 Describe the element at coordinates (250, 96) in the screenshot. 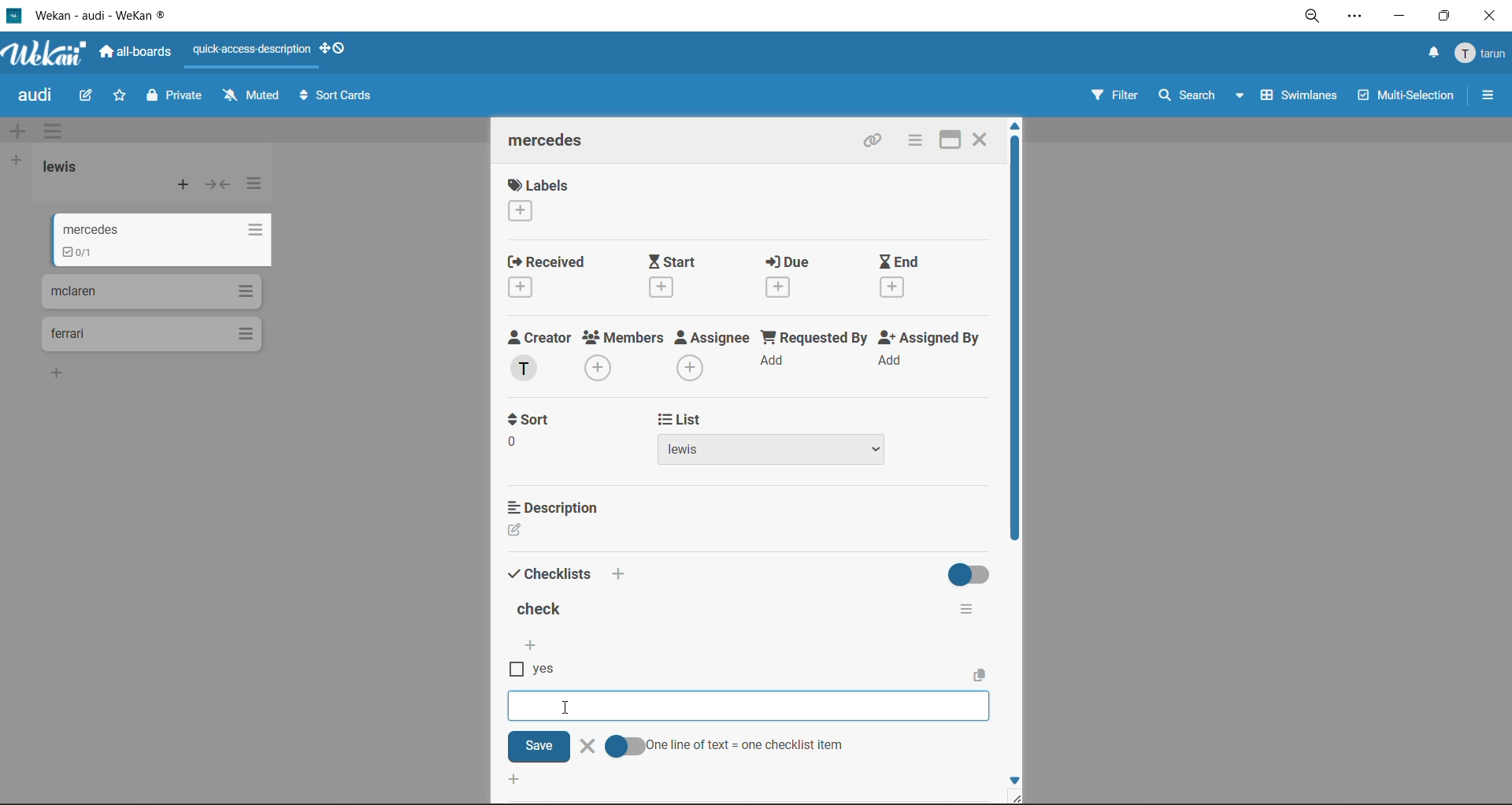

I see `muted` at that location.